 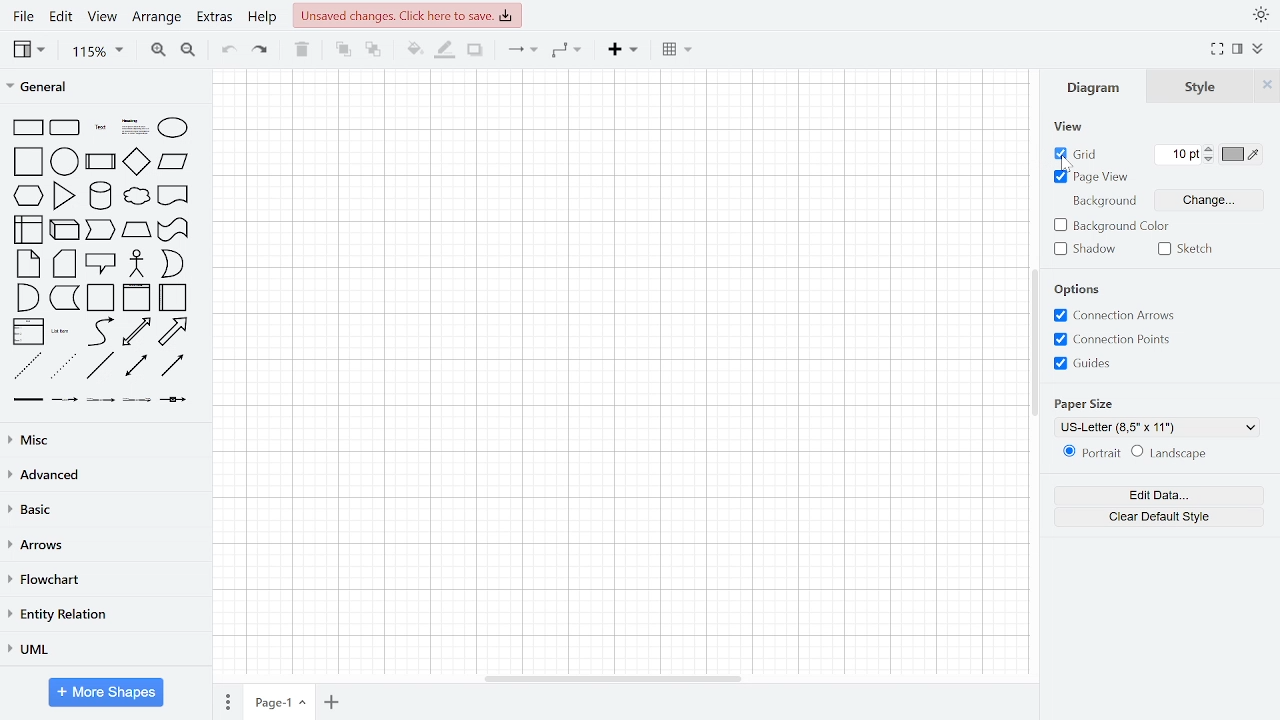 I want to click on hexagon, so click(x=26, y=195).